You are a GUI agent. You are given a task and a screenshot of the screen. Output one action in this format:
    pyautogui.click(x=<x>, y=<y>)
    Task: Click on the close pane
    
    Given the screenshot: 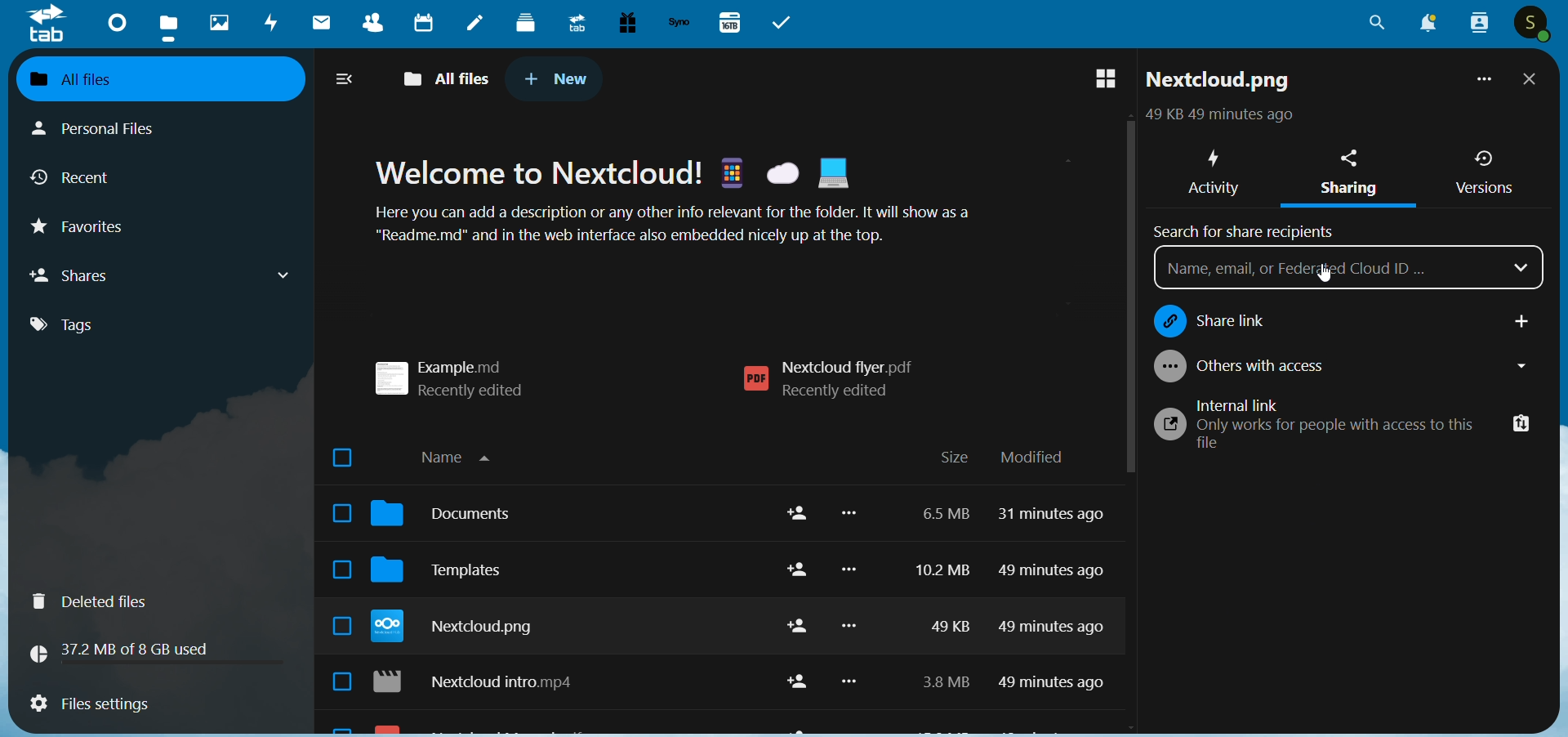 What is the action you would take?
    pyautogui.click(x=1530, y=81)
    